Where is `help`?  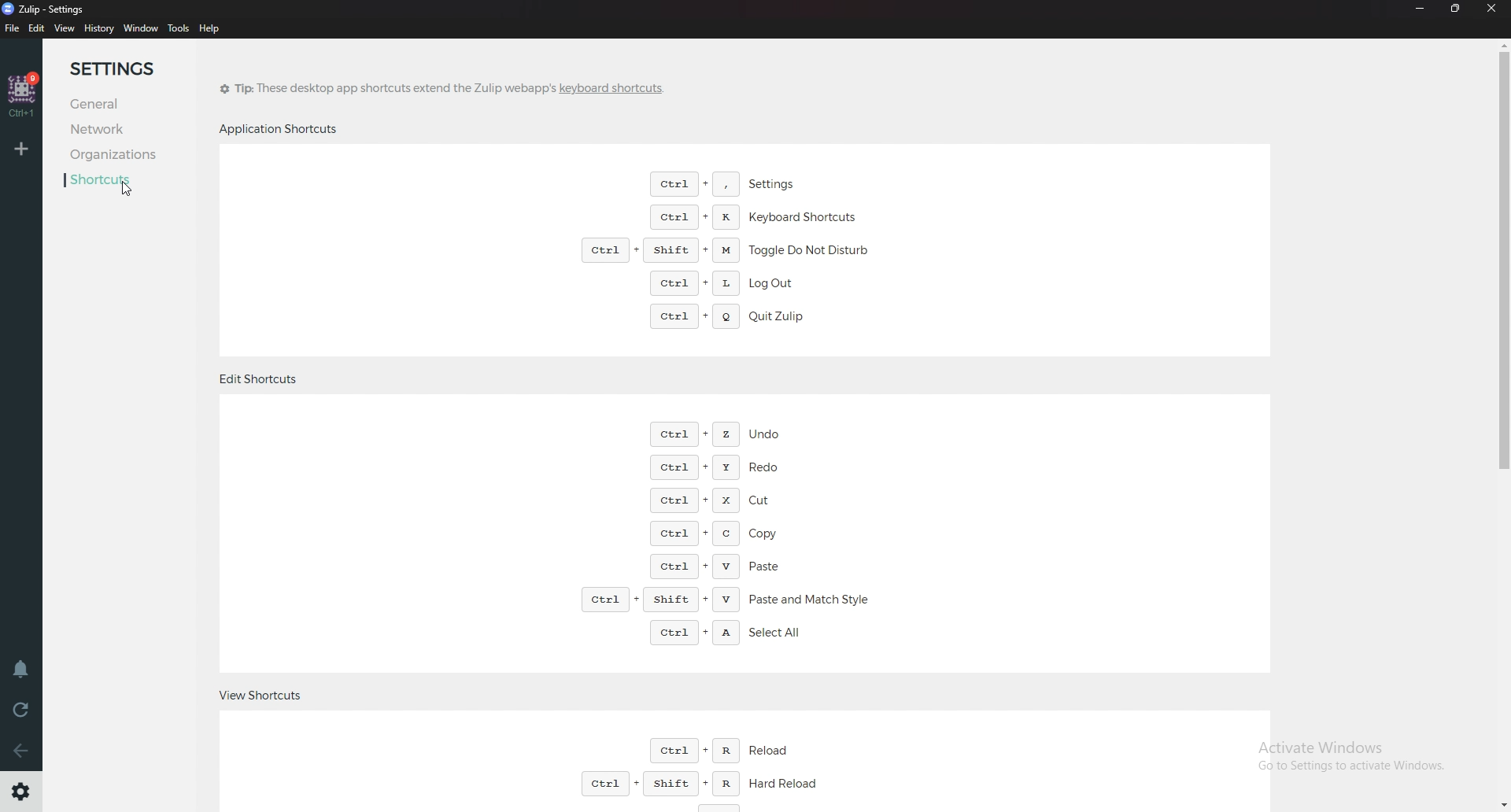
help is located at coordinates (209, 28).